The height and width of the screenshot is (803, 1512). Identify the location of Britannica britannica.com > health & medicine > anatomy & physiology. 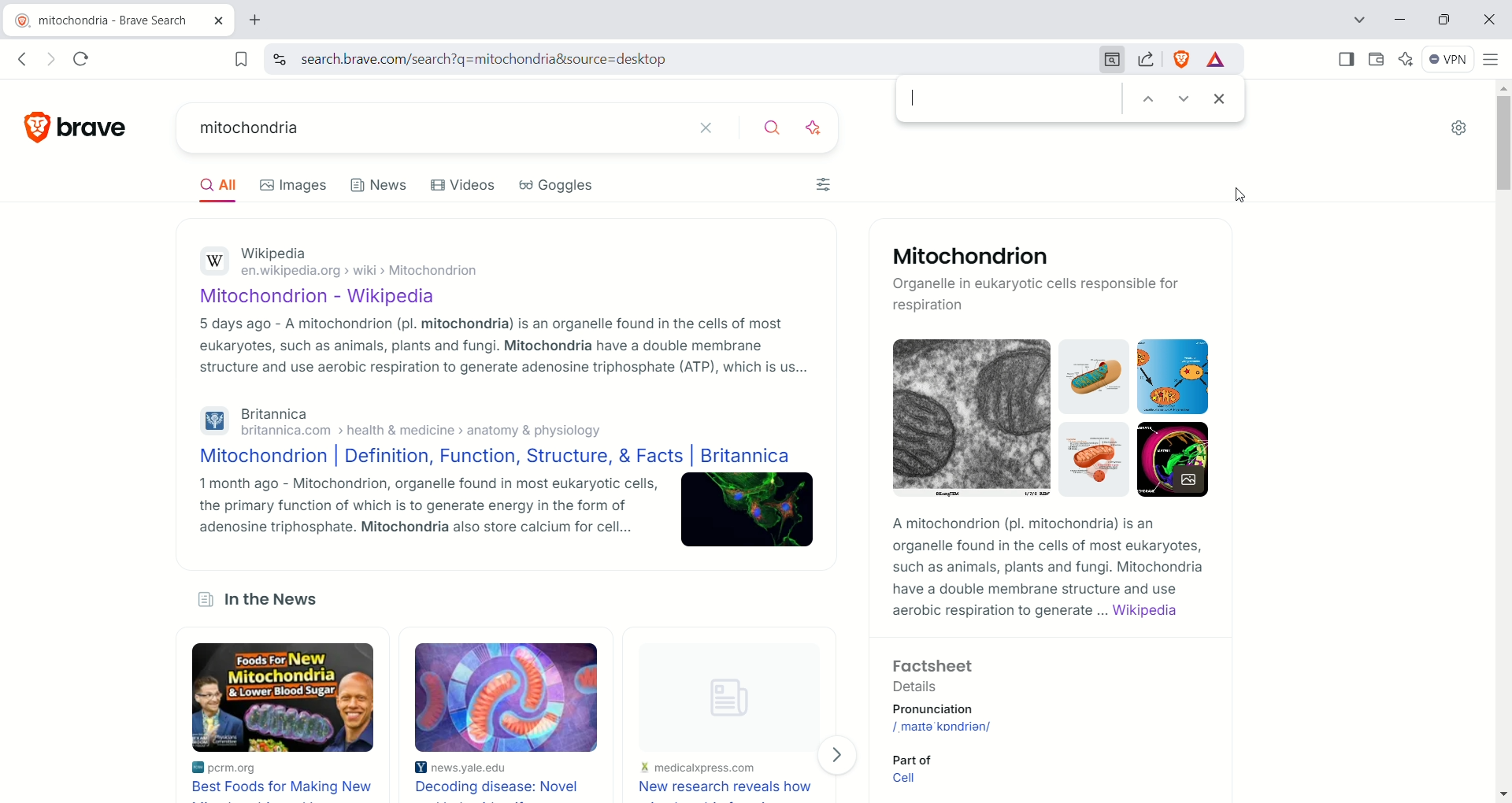
(413, 422).